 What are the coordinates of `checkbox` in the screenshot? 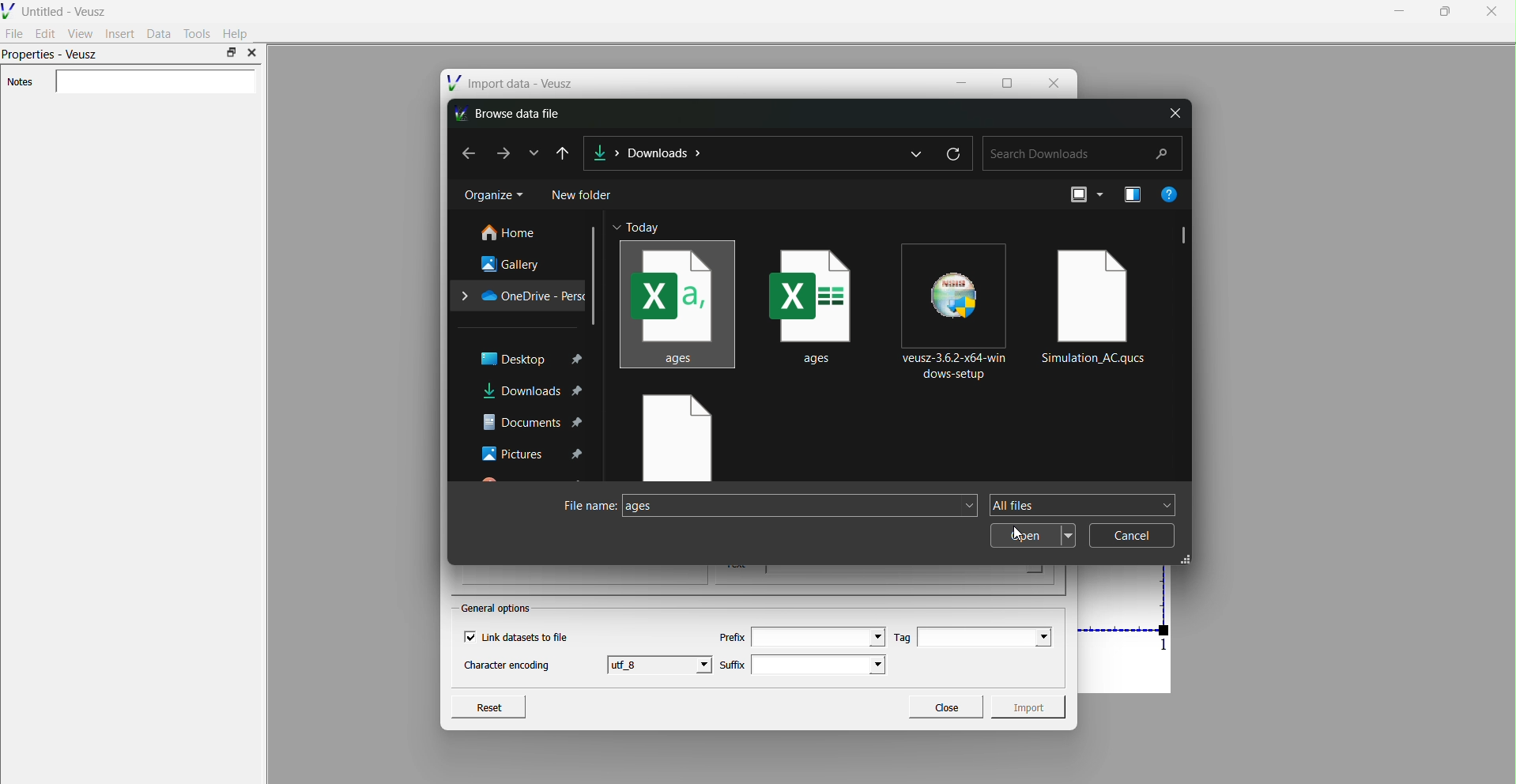 It's located at (469, 637).